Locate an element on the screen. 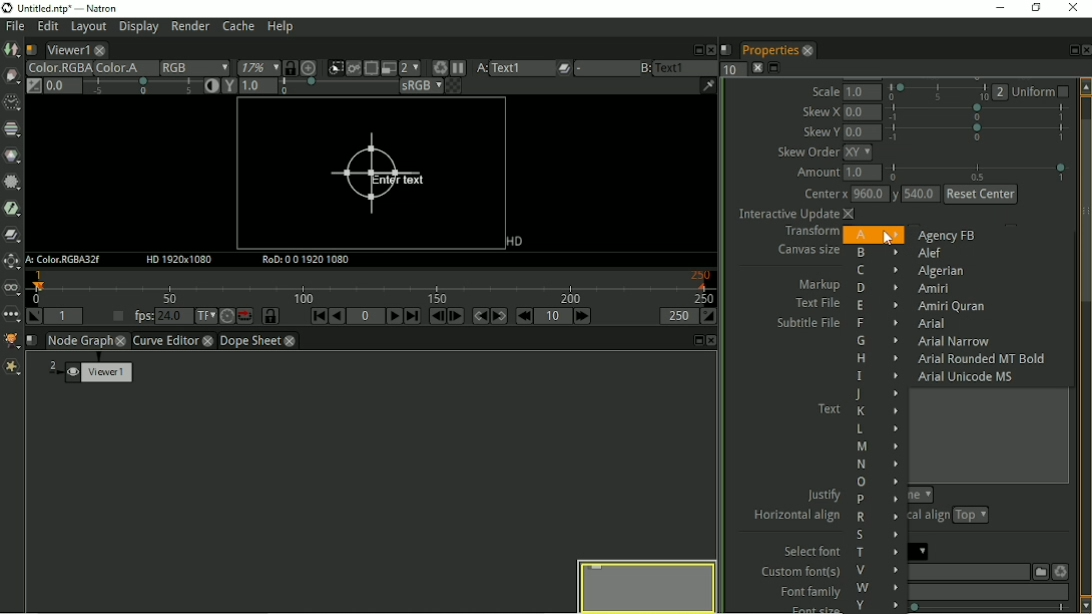  Next keyframe is located at coordinates (500, 316).